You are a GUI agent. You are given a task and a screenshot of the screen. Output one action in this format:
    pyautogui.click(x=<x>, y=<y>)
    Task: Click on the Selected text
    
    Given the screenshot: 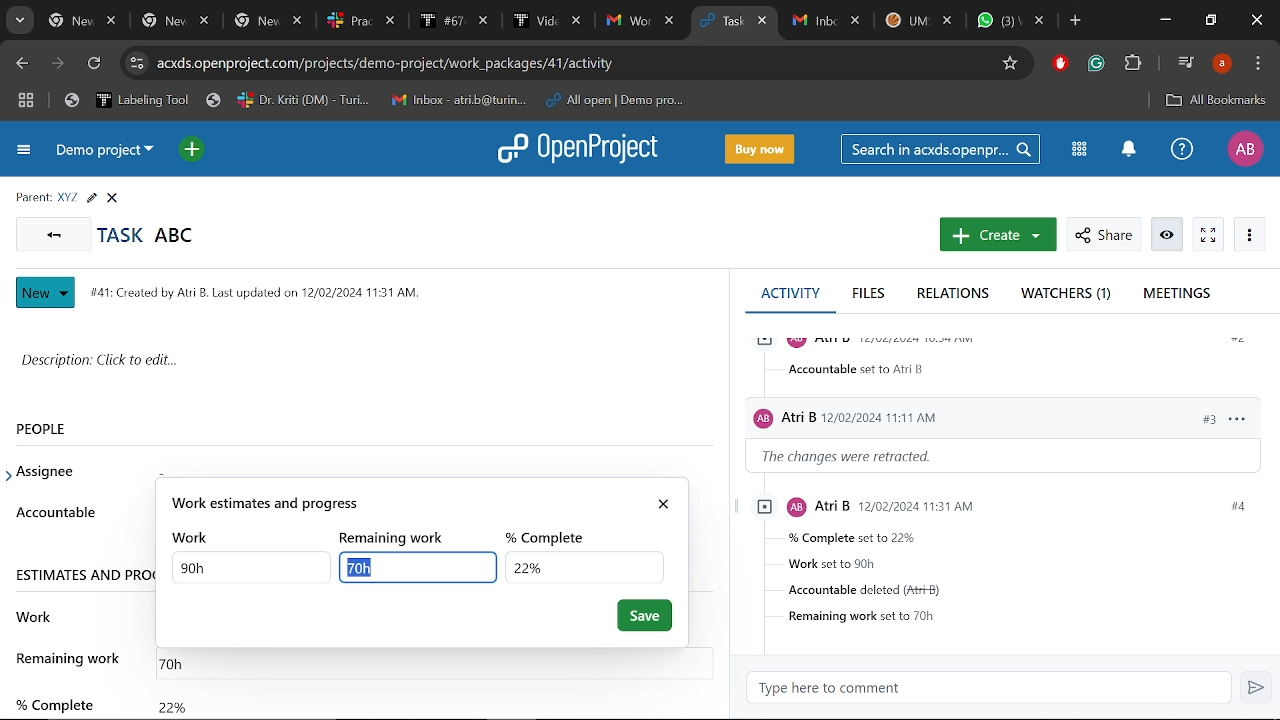 What is the action you would take?
    pyautogui.click(x=414, y=567)
    